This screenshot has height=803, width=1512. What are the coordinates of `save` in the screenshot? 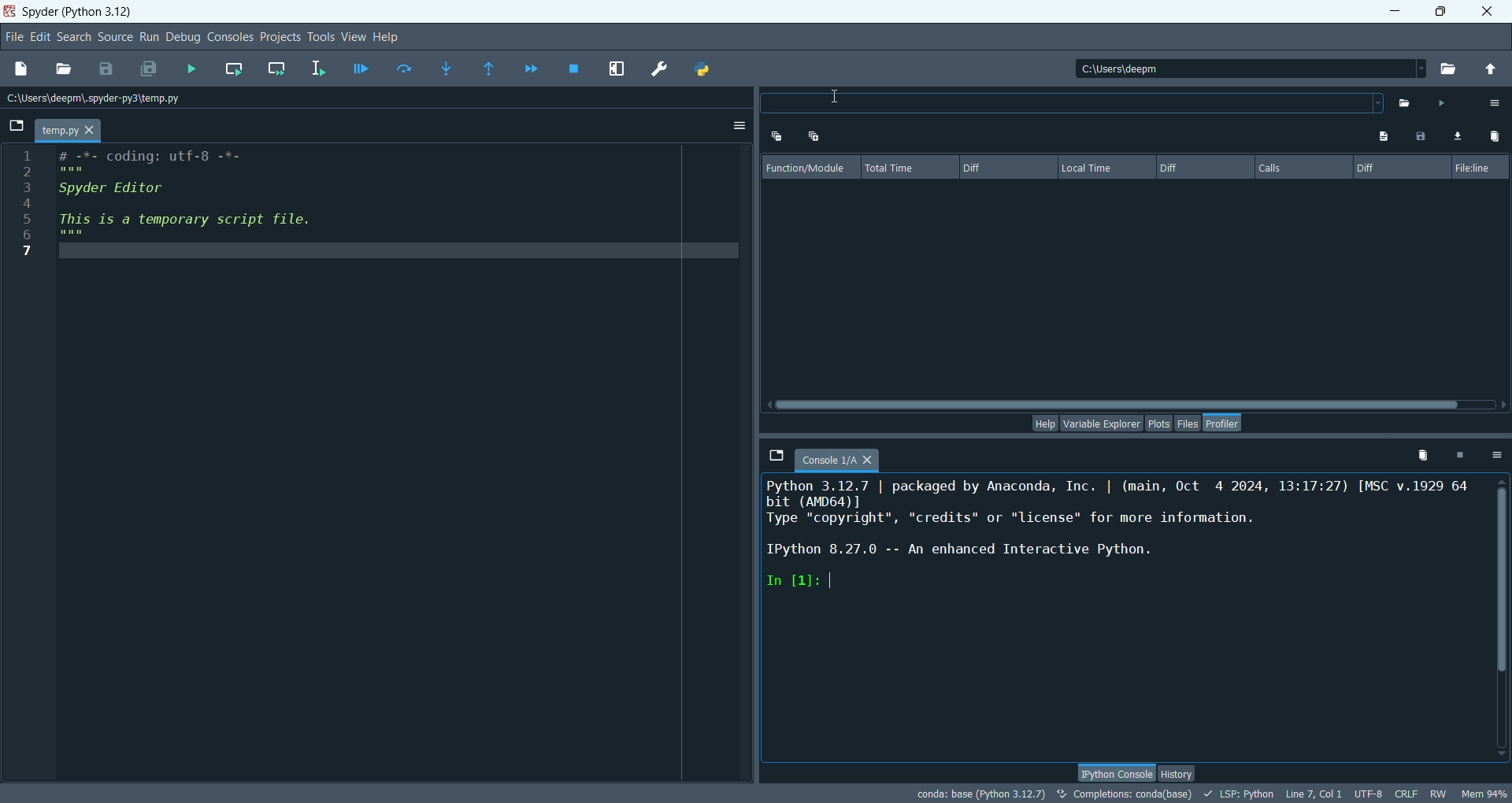 It's located at (1419, 135).